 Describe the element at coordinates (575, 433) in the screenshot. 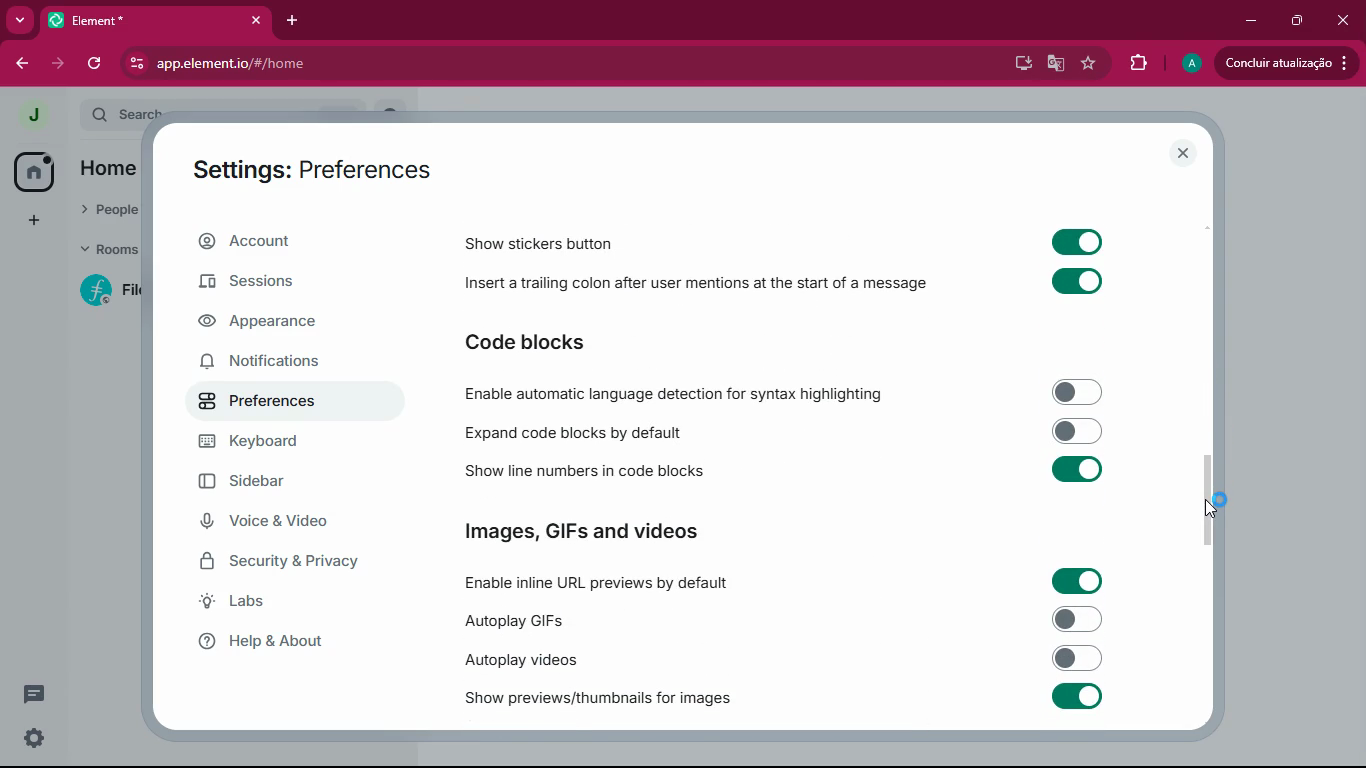

I see `Expand code blocks by default` at that location.